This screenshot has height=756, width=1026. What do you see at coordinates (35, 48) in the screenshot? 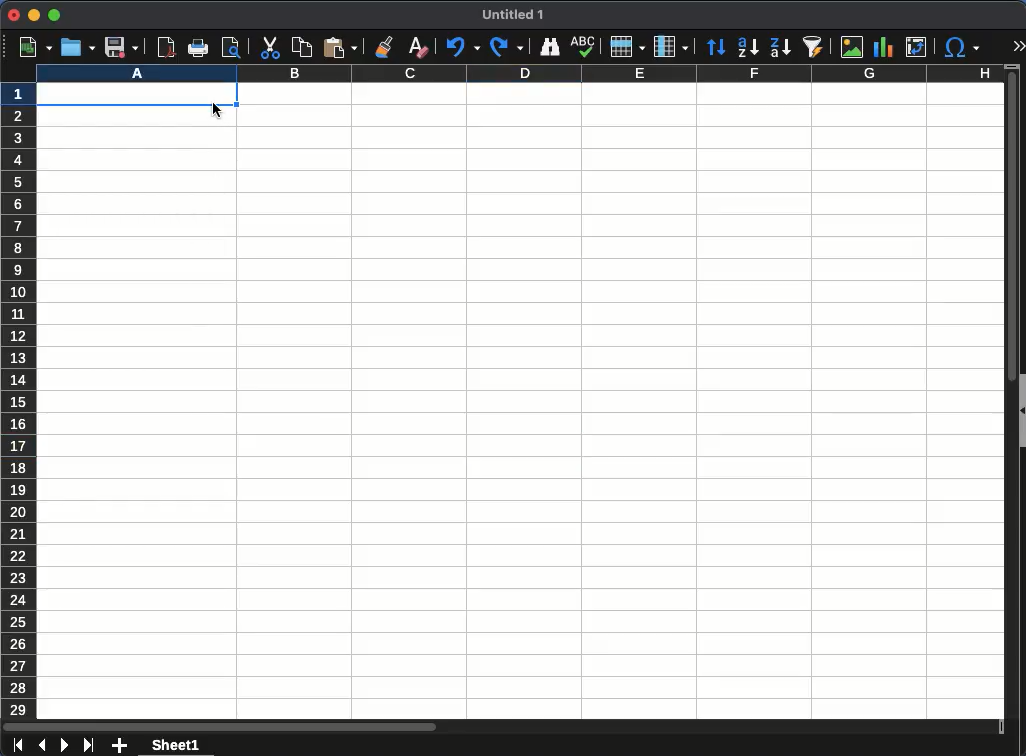
I see `new` at bounding box center [35, 48].